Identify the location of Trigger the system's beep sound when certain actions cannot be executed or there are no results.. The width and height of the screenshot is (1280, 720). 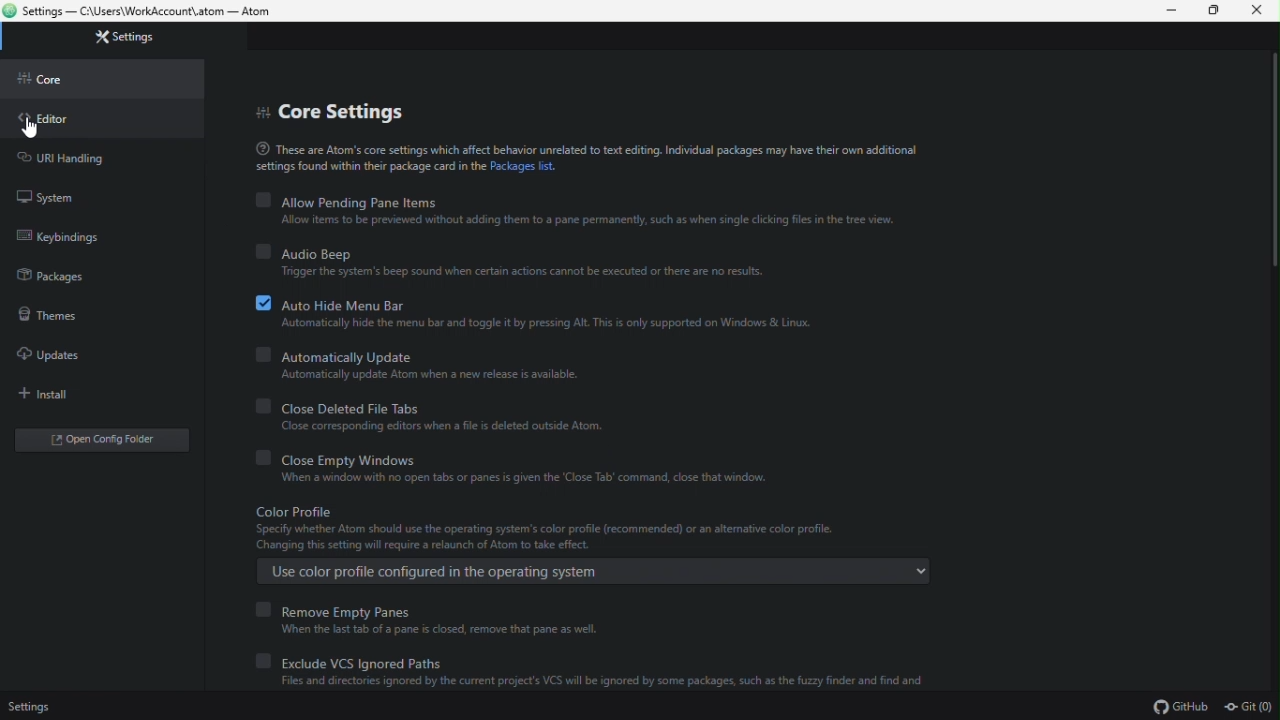
(544, 273).